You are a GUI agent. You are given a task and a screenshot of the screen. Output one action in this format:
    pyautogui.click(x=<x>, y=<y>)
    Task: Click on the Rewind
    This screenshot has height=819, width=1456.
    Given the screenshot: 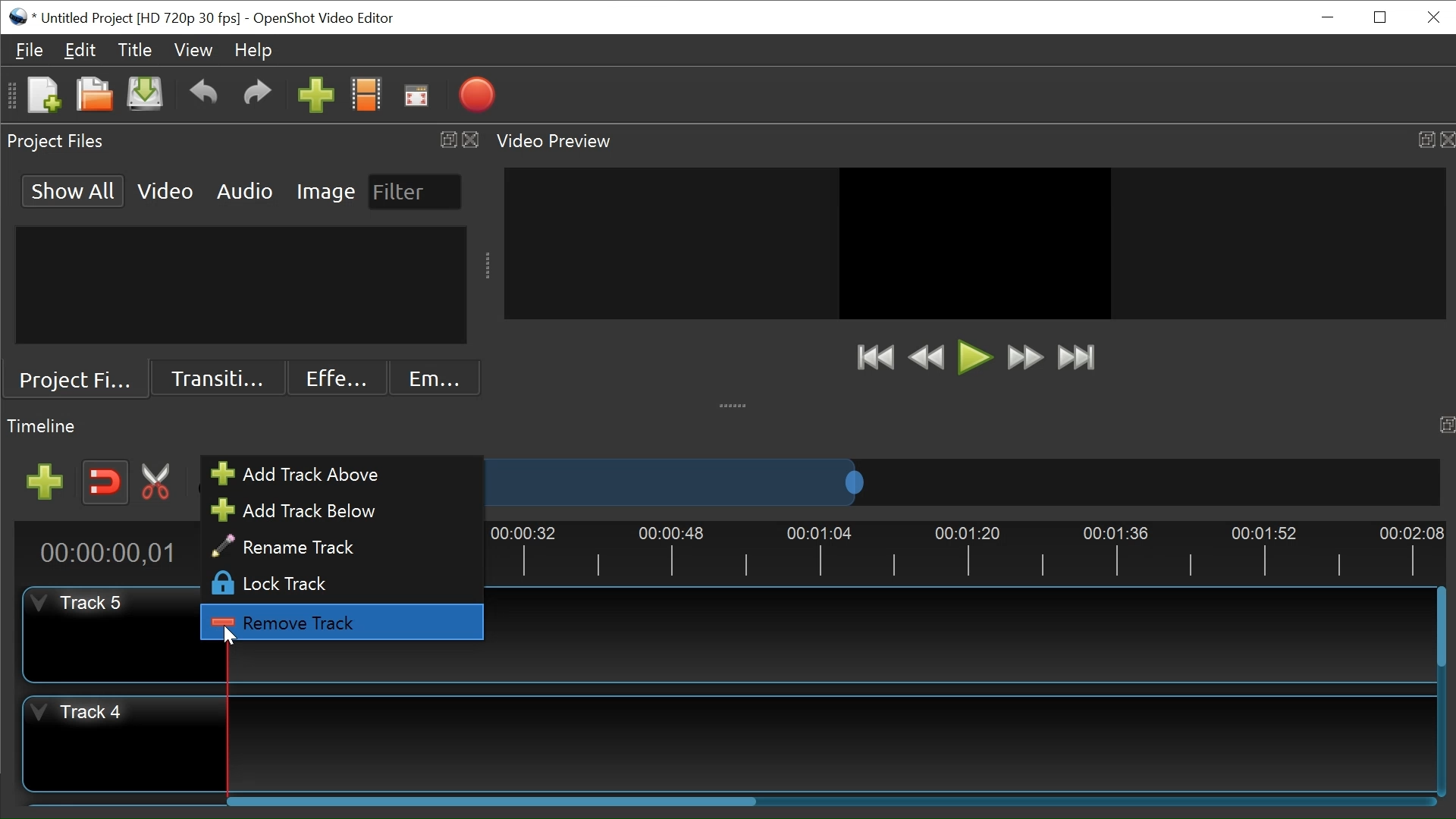 What is the action you would take?
    pyautogui.click(x=927, y=358)
    